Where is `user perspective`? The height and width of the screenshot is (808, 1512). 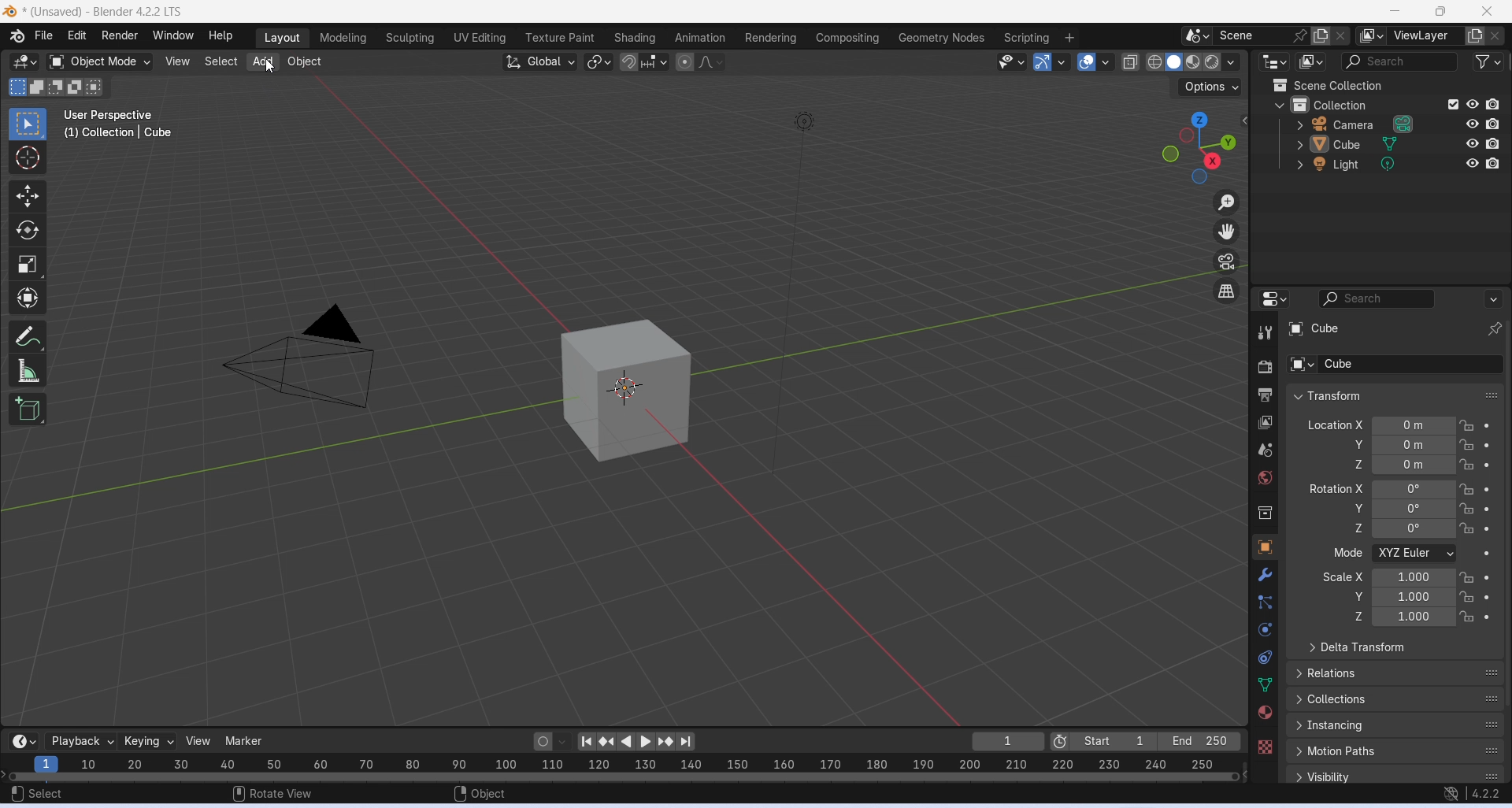 user perspective is located at coordinates (111, 114).